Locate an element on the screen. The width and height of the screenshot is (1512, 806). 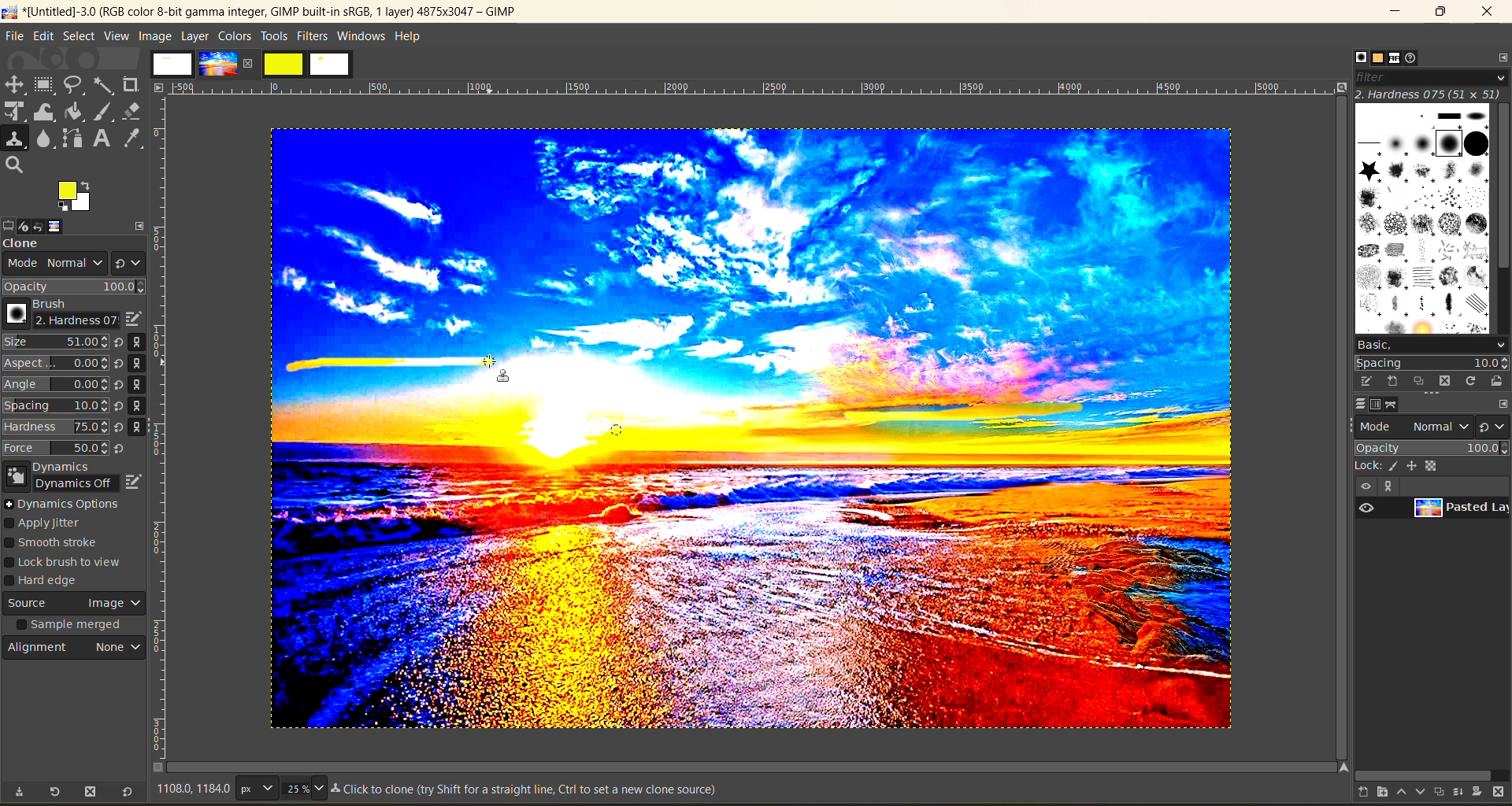
apply jitter is located at coordinates (54, 524).